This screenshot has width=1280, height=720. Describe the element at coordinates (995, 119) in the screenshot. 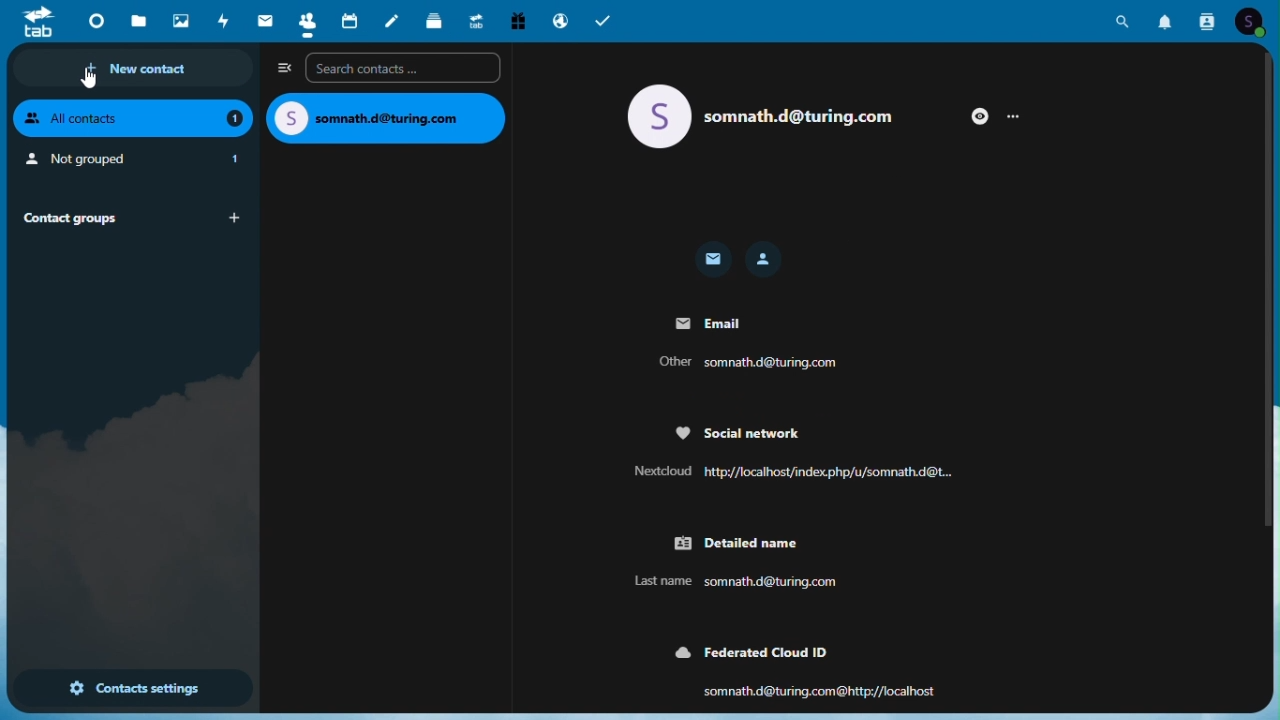

I see `More options` at that location.